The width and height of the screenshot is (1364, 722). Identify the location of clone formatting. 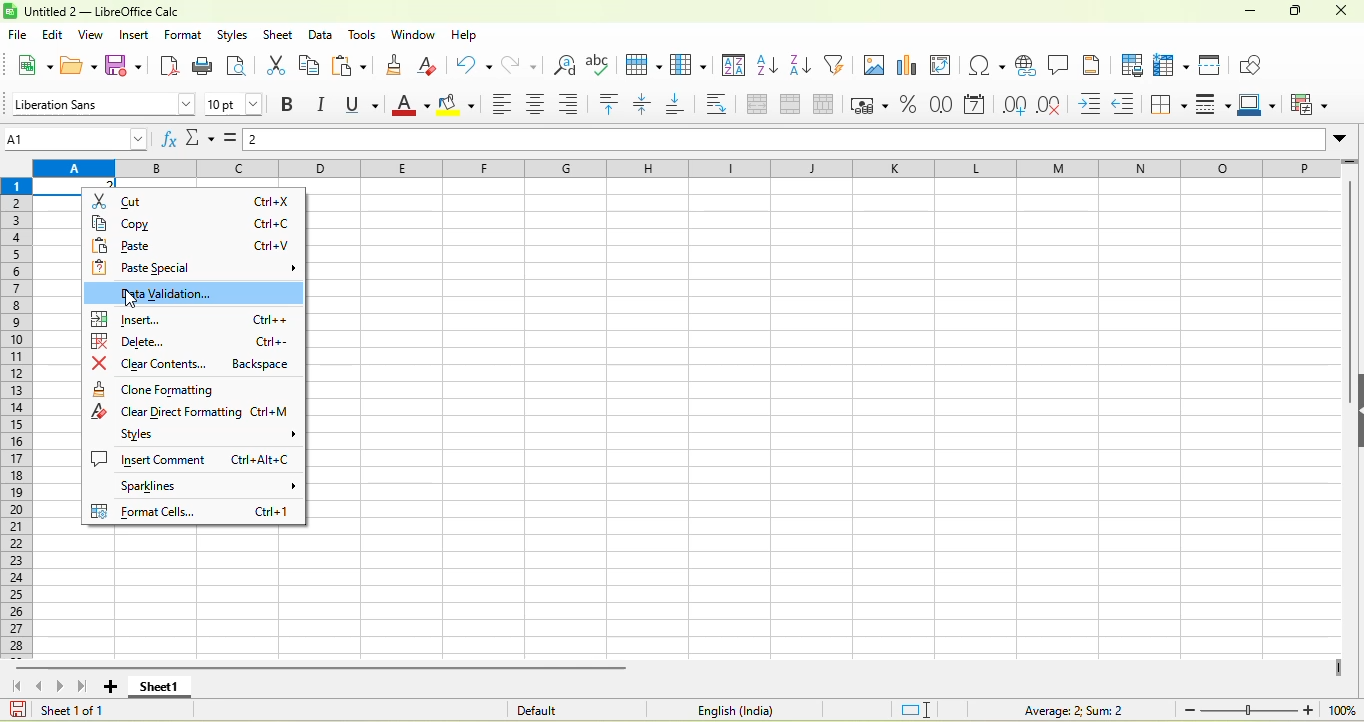
(400, 64).